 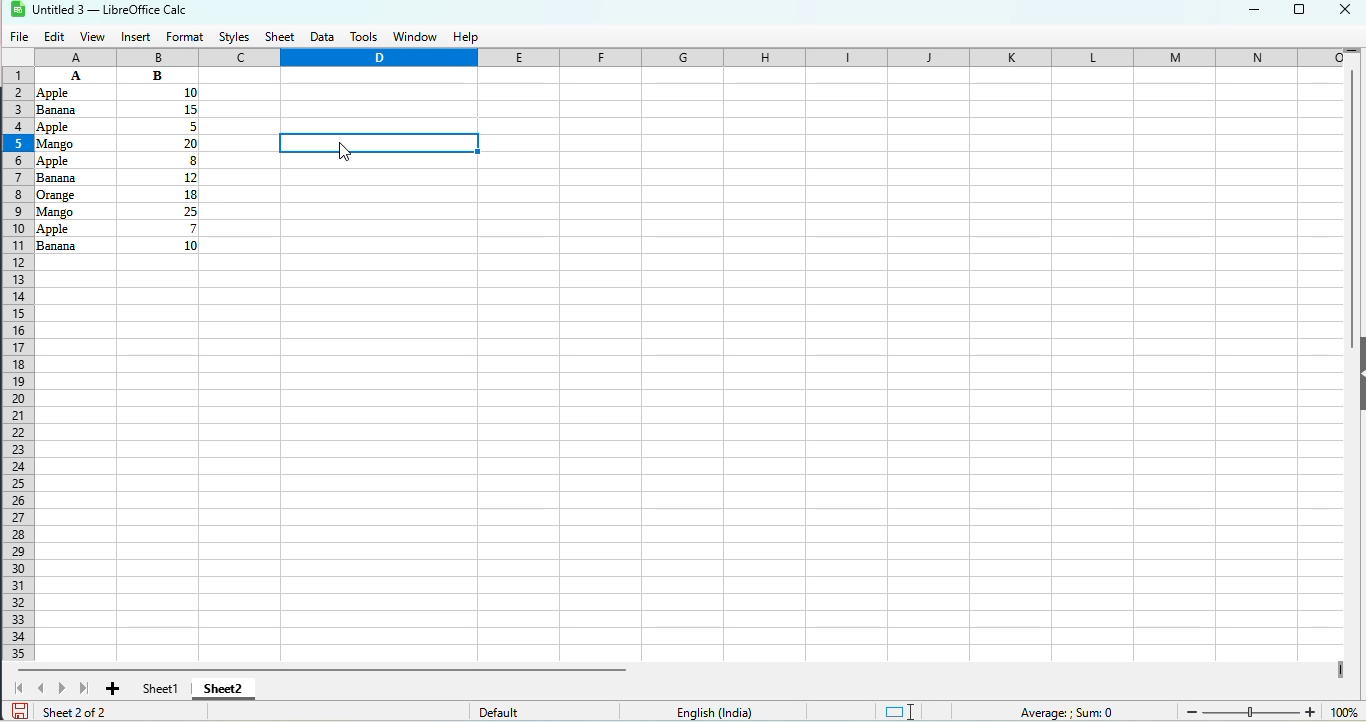 What do you see at coordinates (323, 670) in the screenshot?
I see `horizontal scroll bar` at bounding box center [323, 670].